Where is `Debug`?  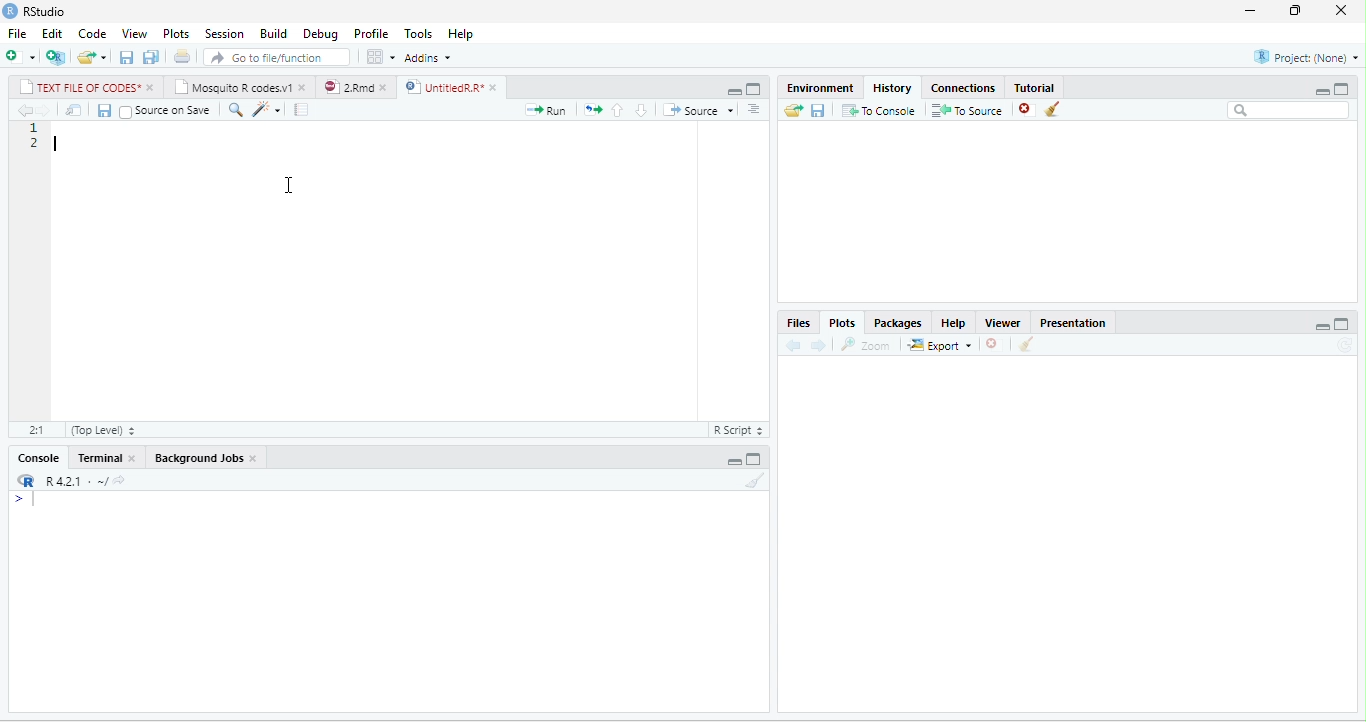
Debug is located at coordinates (320, 35).